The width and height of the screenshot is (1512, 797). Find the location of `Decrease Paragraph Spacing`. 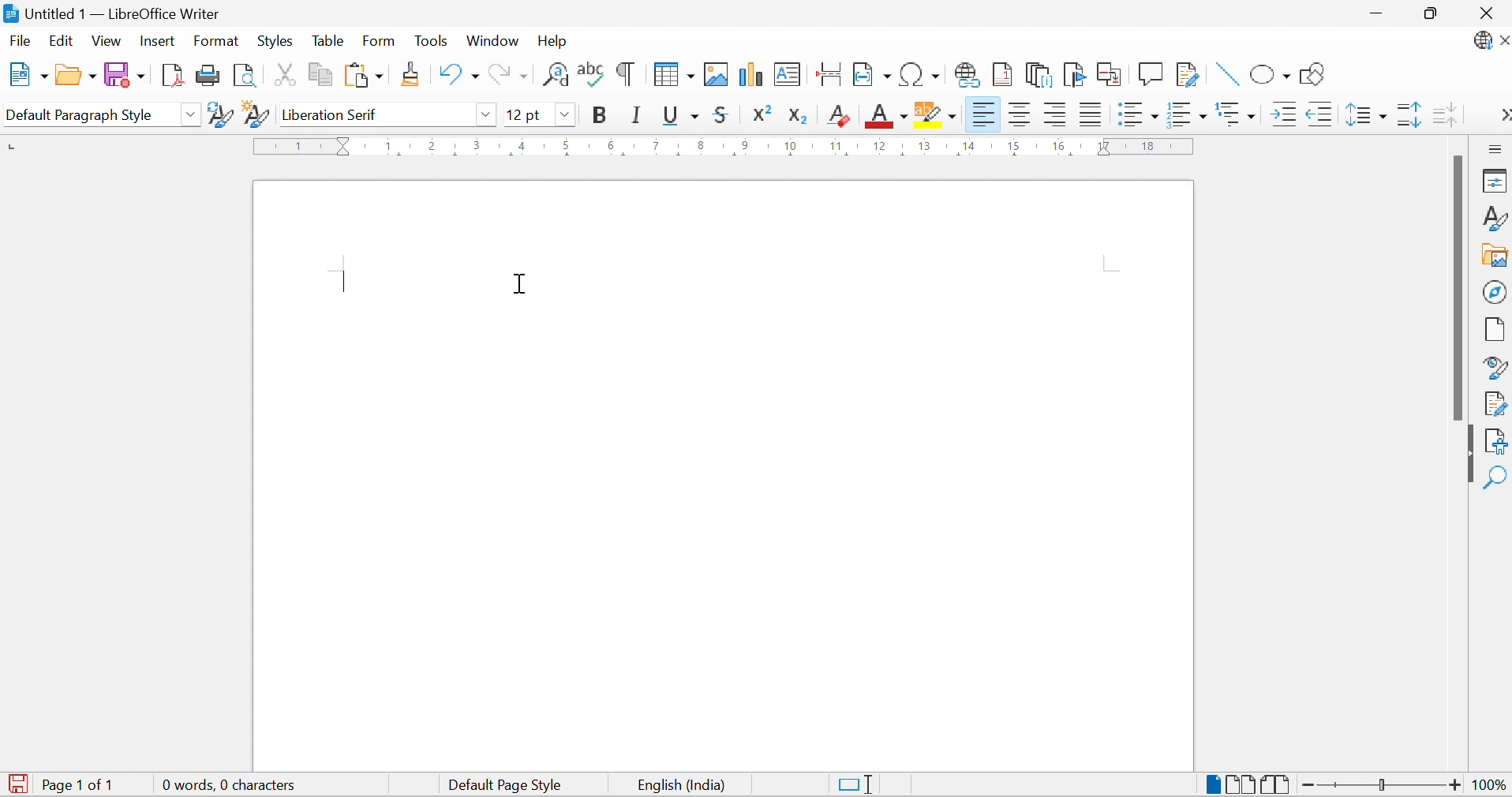

Decrease Paragraph Spacing is located at coordinates (1444, 114).